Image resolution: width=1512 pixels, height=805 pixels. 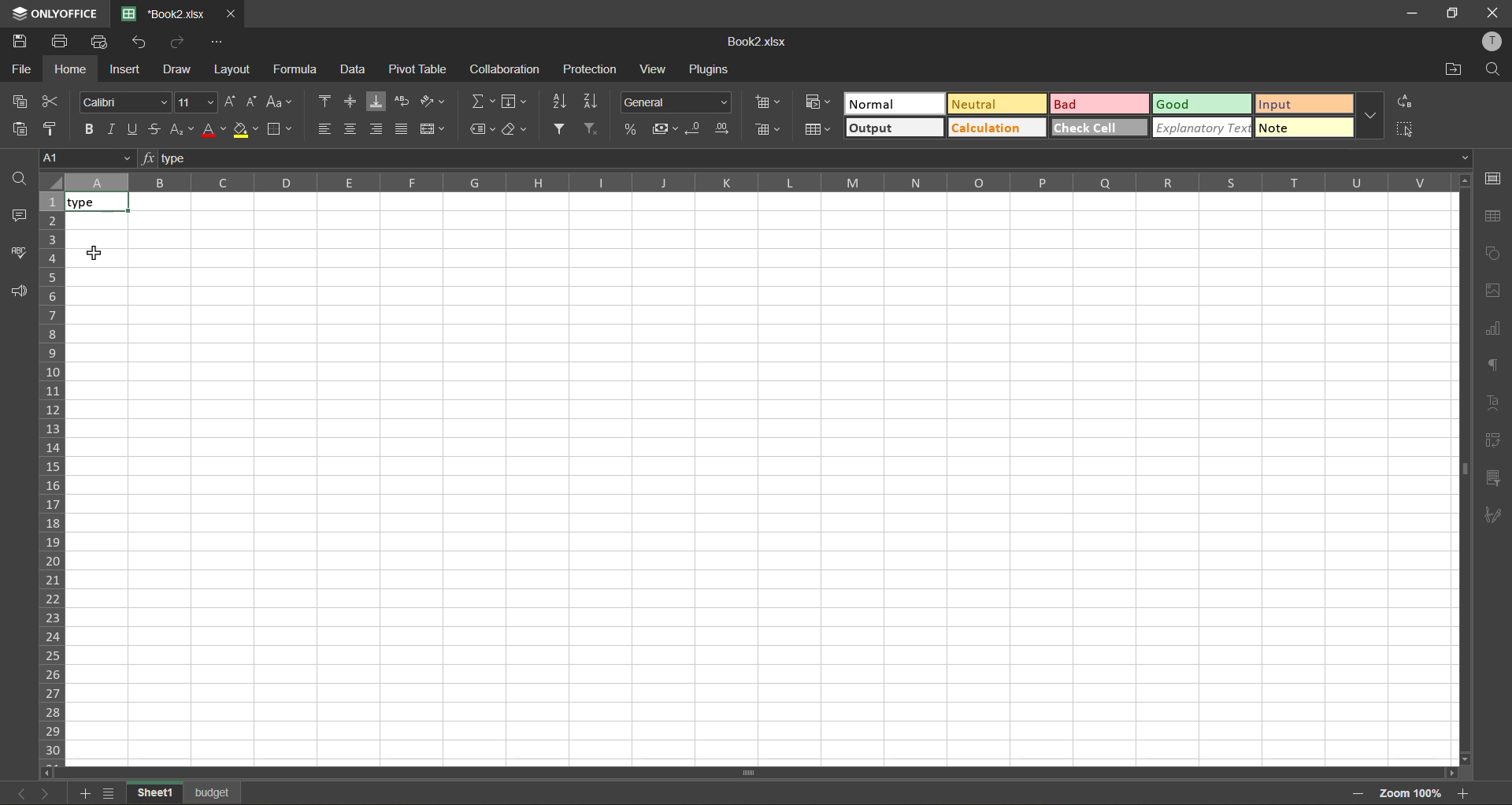 I want to click on paste, so click(x=18, y=128).